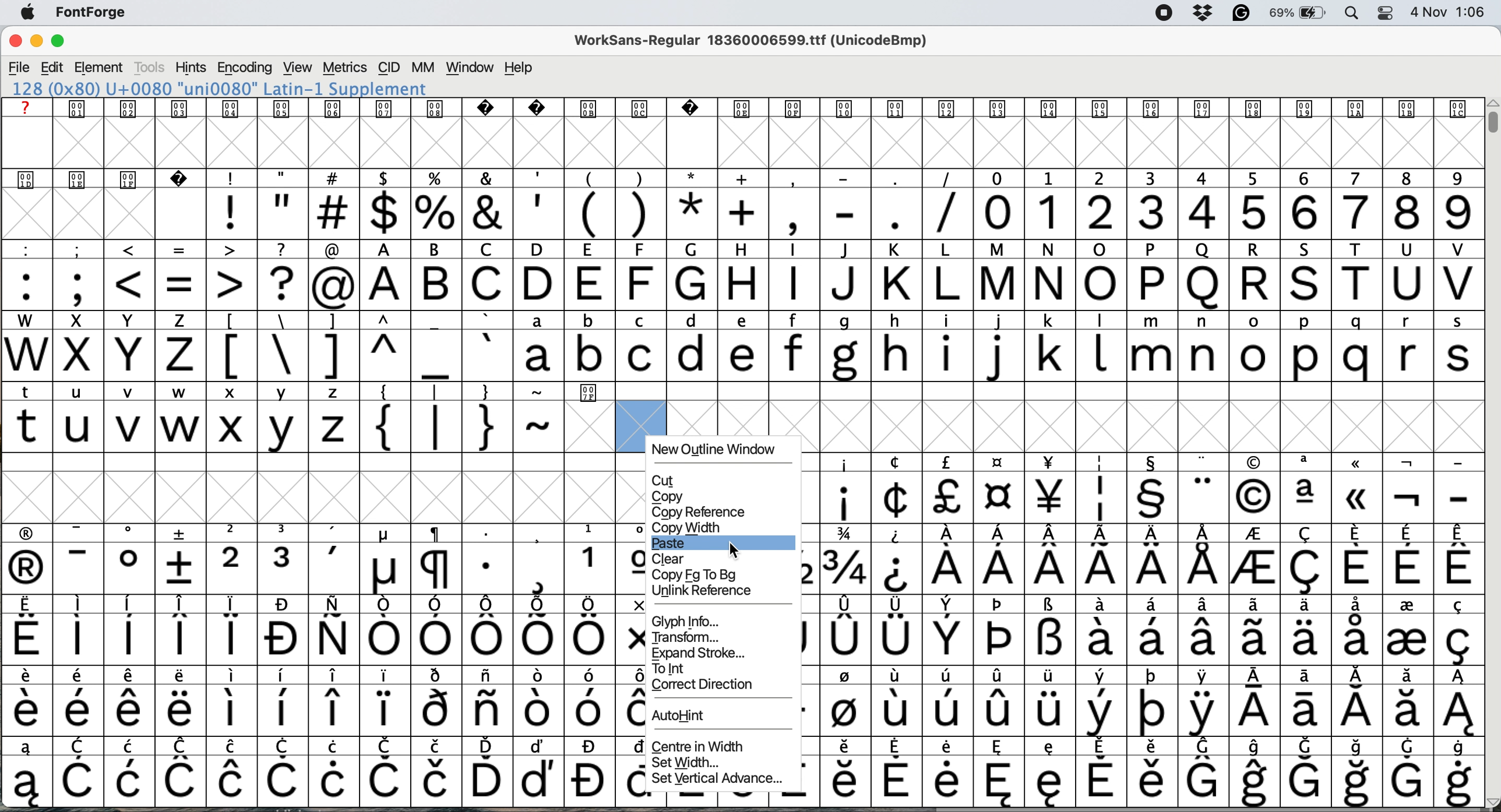  Describe the element at coordinates (180, 284) in the screenshot. I see `special characters` at that location.